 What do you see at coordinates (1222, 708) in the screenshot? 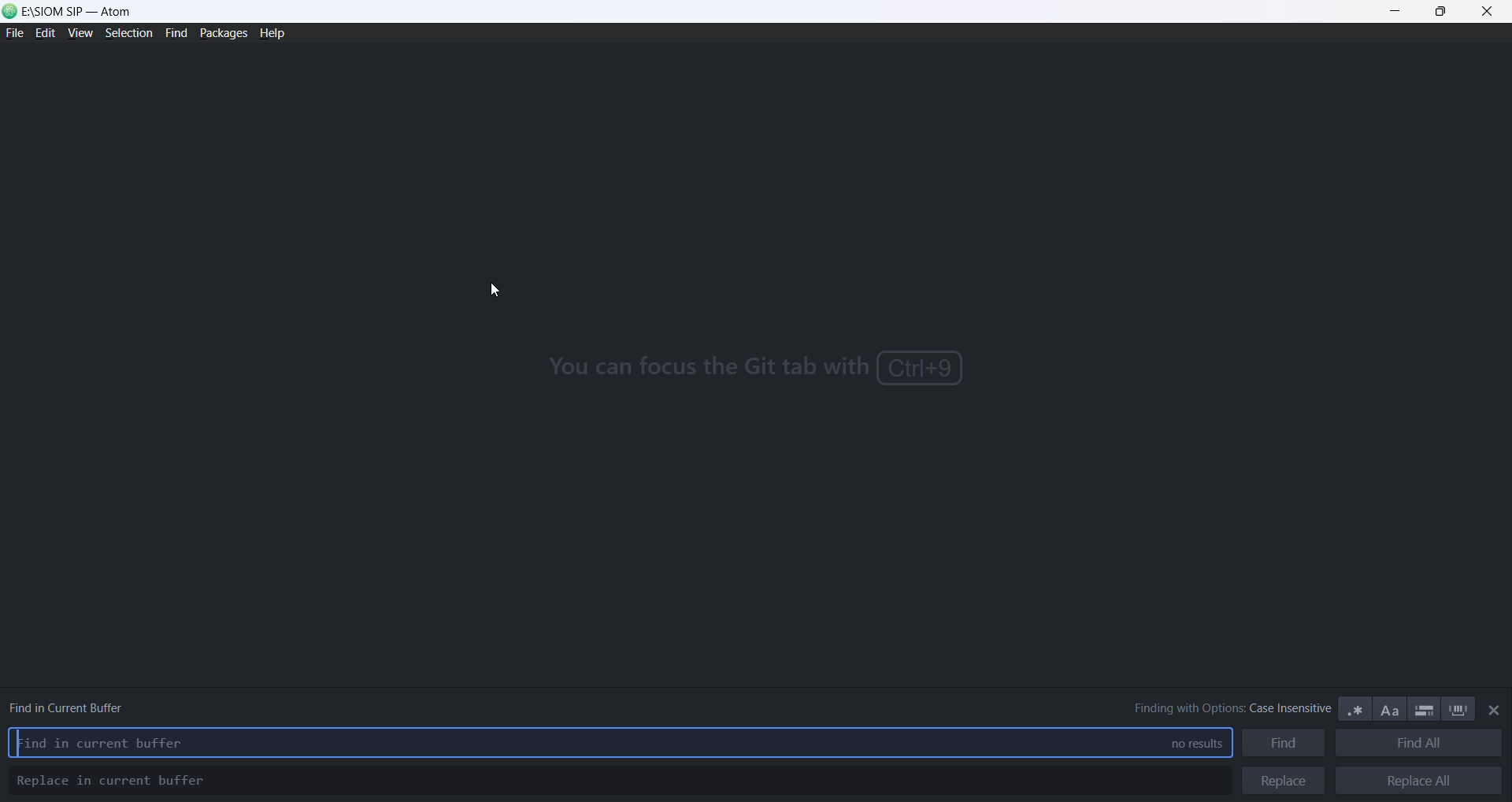
I see `finding with options : case sensitive` at bounding box center [1222, 708].